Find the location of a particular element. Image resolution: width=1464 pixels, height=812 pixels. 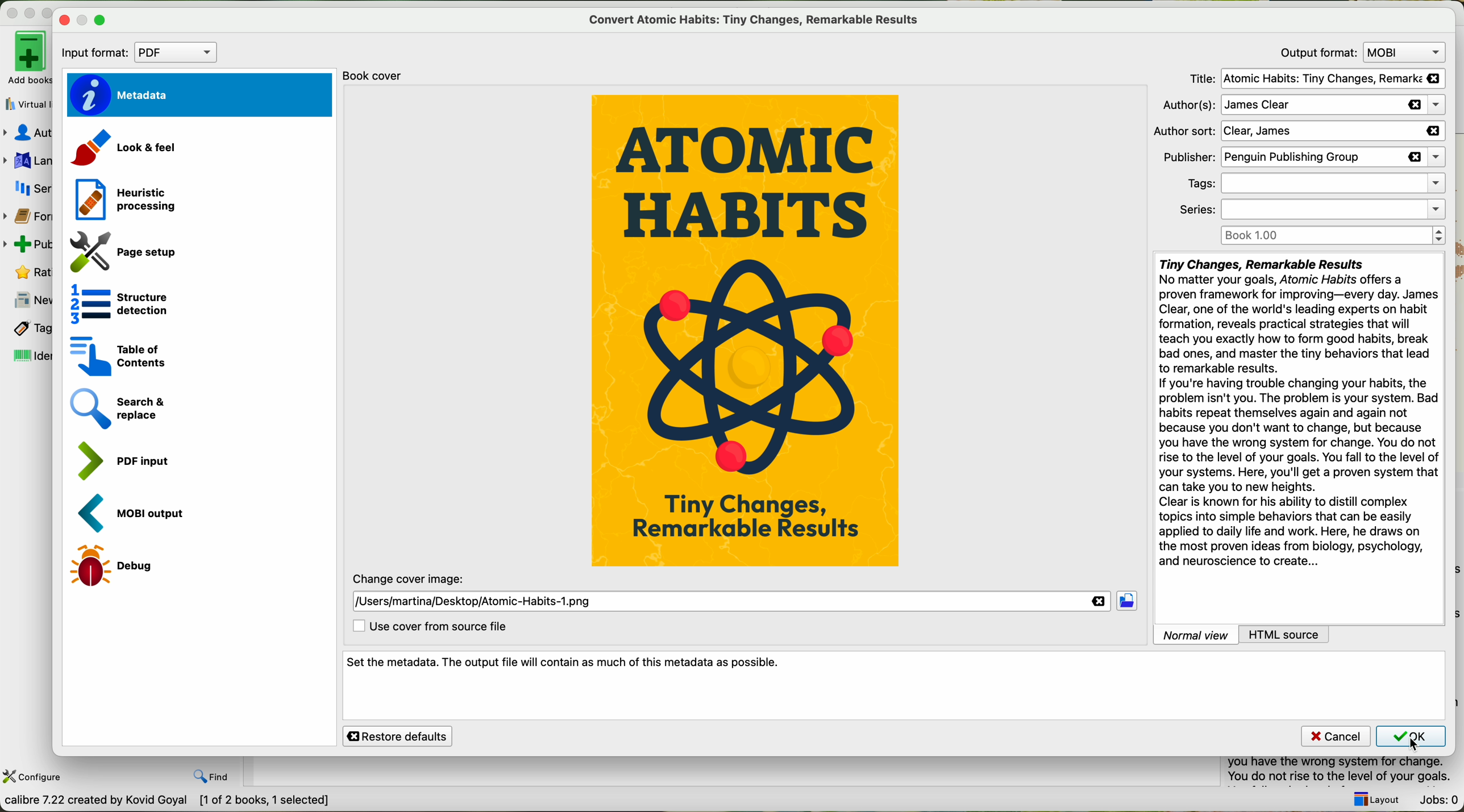

look and feel is located at coordinates (129, 147).